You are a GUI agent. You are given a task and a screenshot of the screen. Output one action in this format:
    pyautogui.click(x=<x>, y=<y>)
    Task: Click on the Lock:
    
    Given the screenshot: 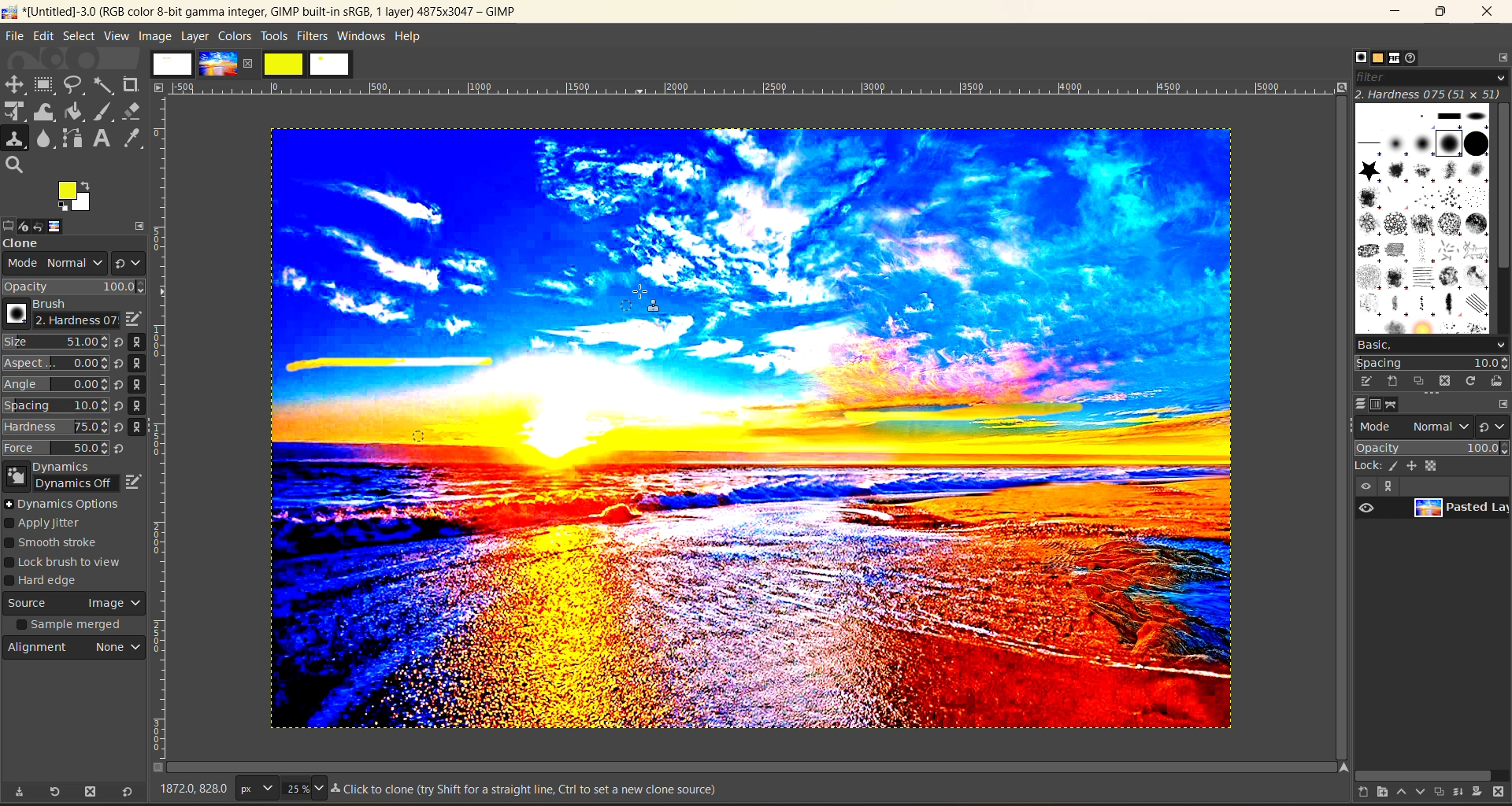 What is the action you would take?
    pyautogui.click(x=1369, y=466)
    